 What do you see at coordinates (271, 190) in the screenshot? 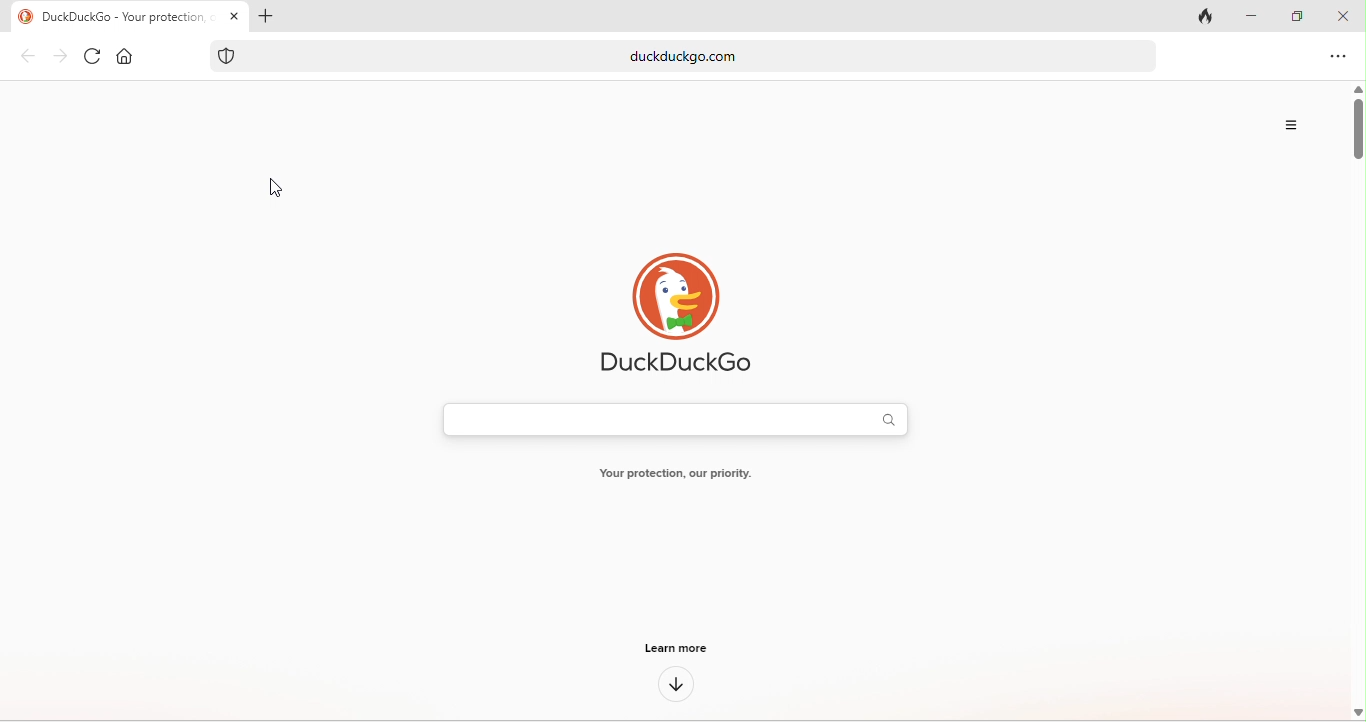
I see `cursor` at bounding box center [271, 190].